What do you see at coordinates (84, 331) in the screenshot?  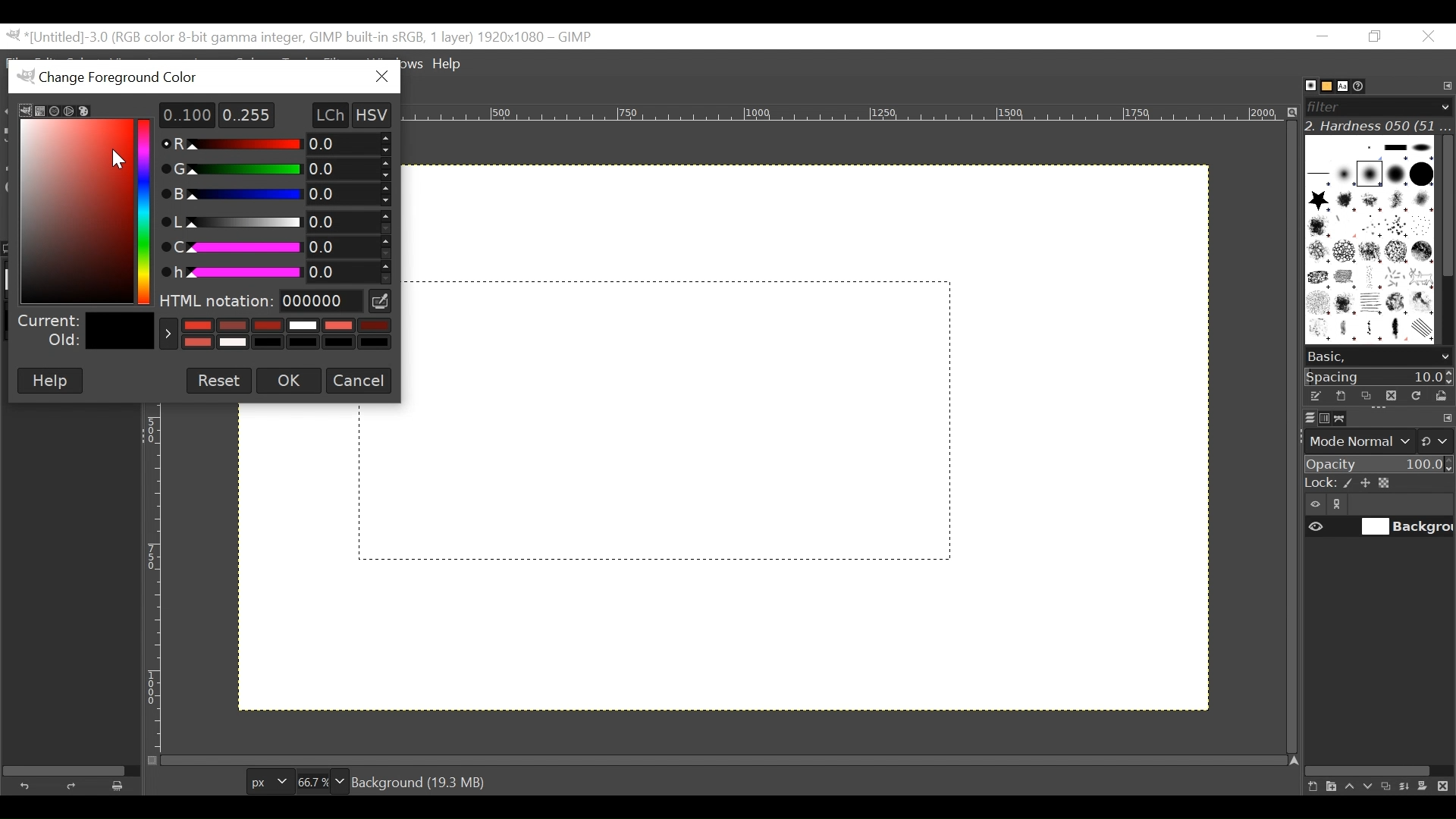 I see `Current old` at bounding box center [84, 331].